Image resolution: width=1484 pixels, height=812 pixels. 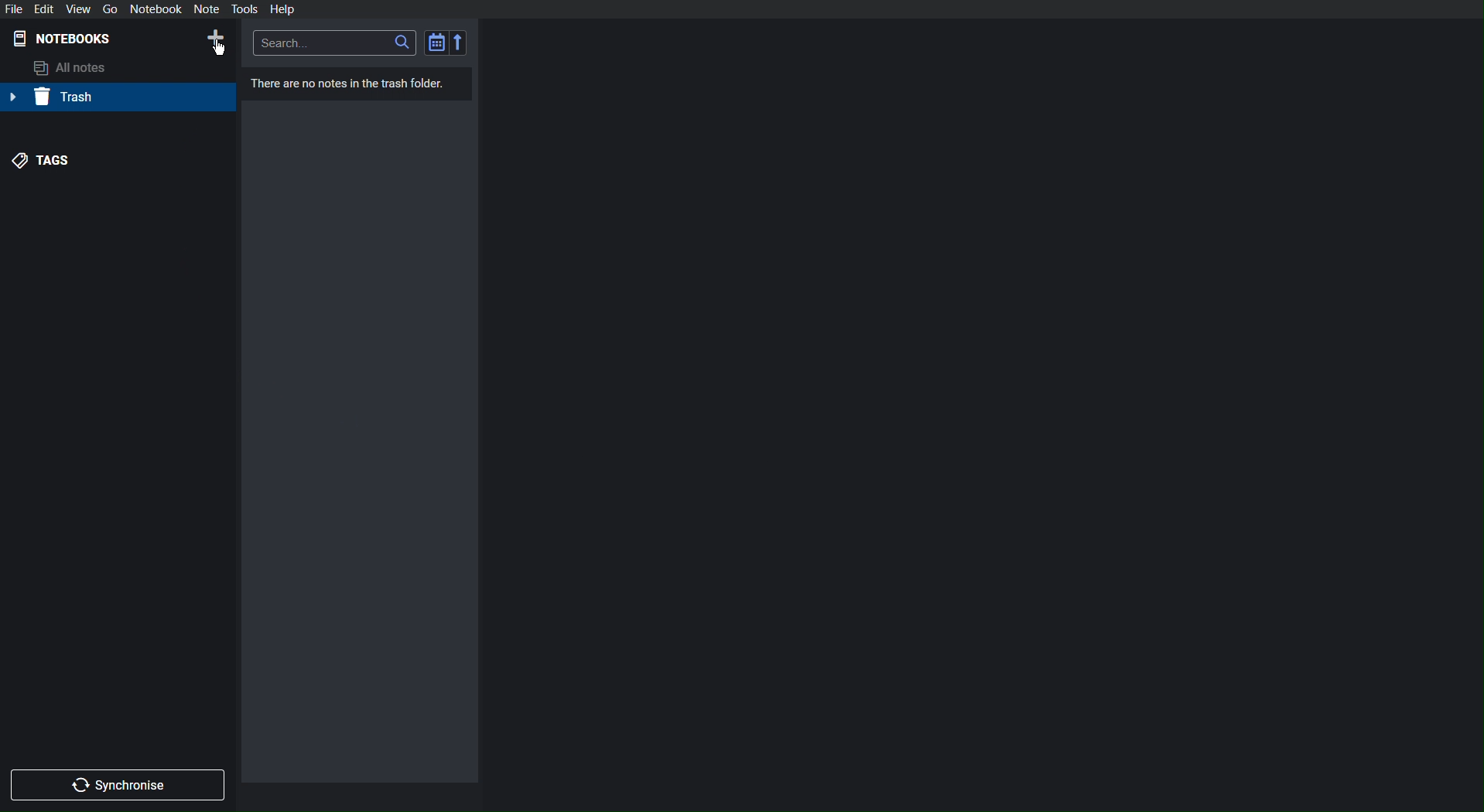 What do you see at coordinates (207, 9) in the screenshot?
I see `Not` at bounding box center [207, 9].